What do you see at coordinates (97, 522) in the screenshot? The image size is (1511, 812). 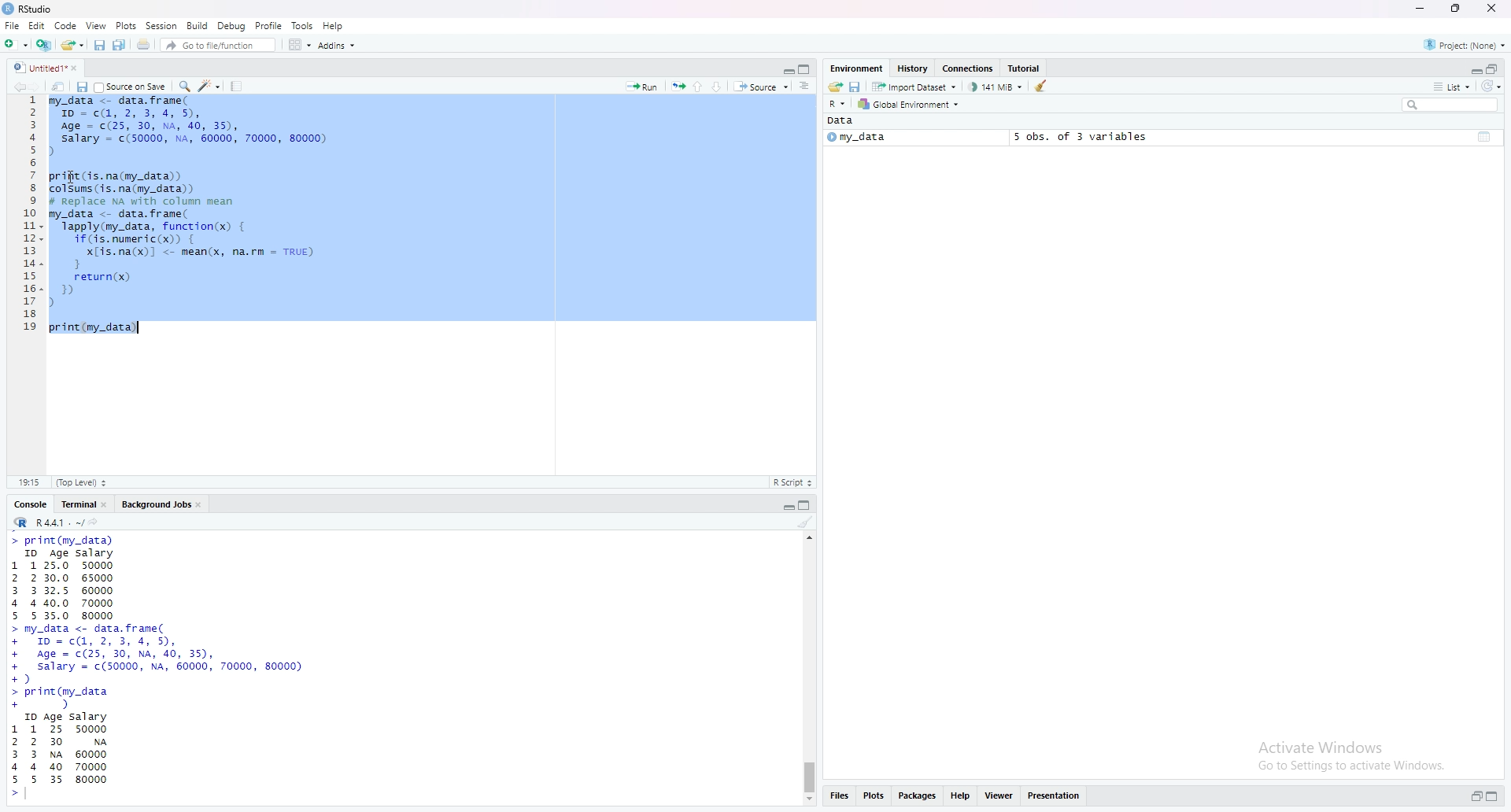 I see `view the current working directory` at bounding box center [97, 522].